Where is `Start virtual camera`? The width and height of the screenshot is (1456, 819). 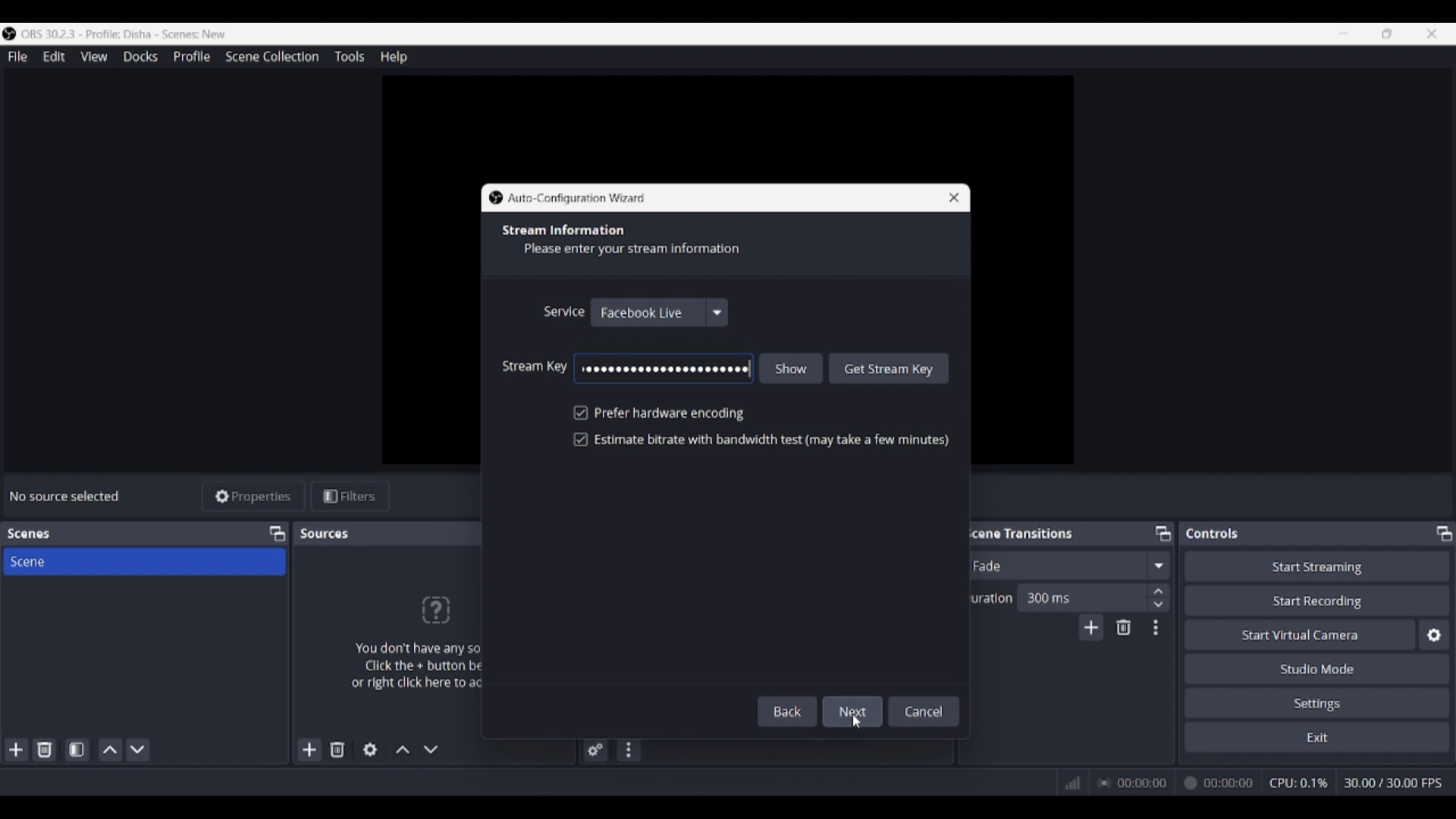 Start virtual camera is located at coordinates (1300, 634).